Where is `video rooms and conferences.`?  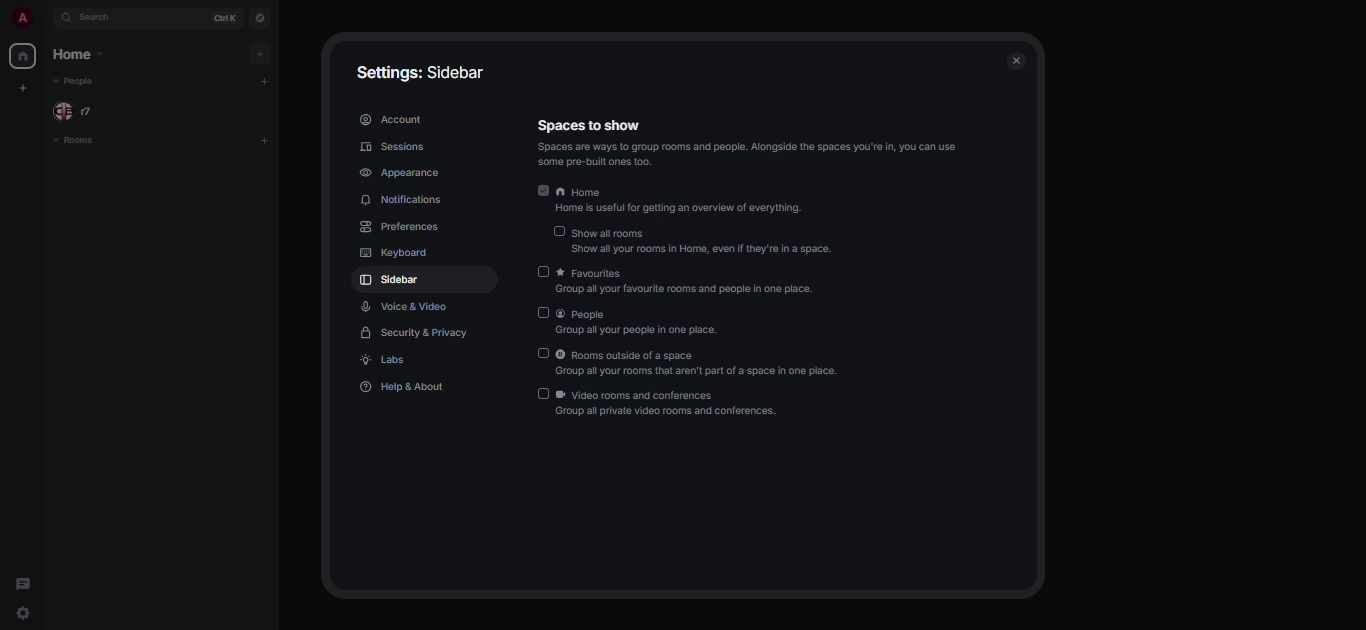
video rooms and conferences. is located at coordinates (668, 395).